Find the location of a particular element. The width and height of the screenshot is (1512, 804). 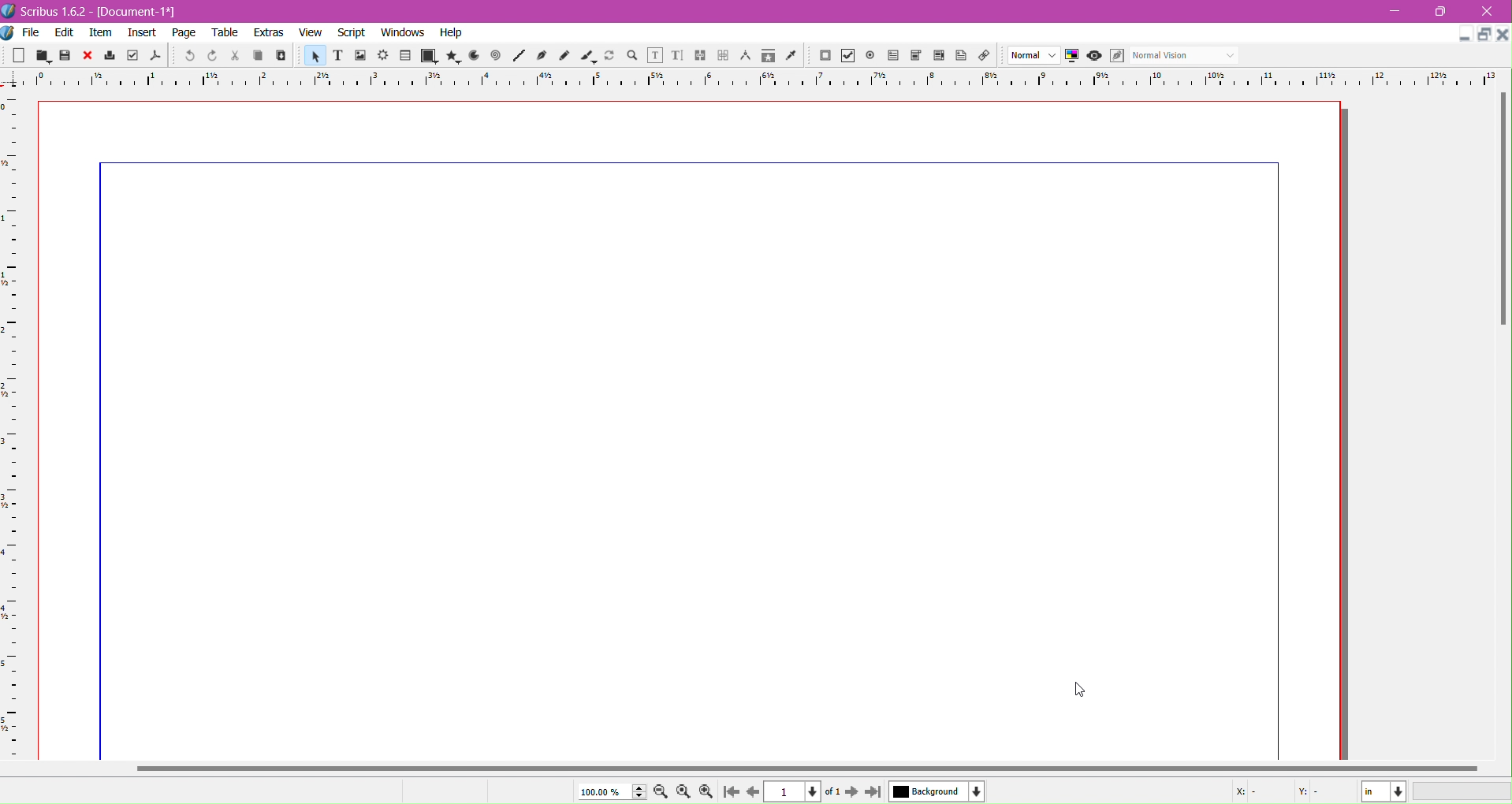

100.00% is located at coordinates (609, 791).